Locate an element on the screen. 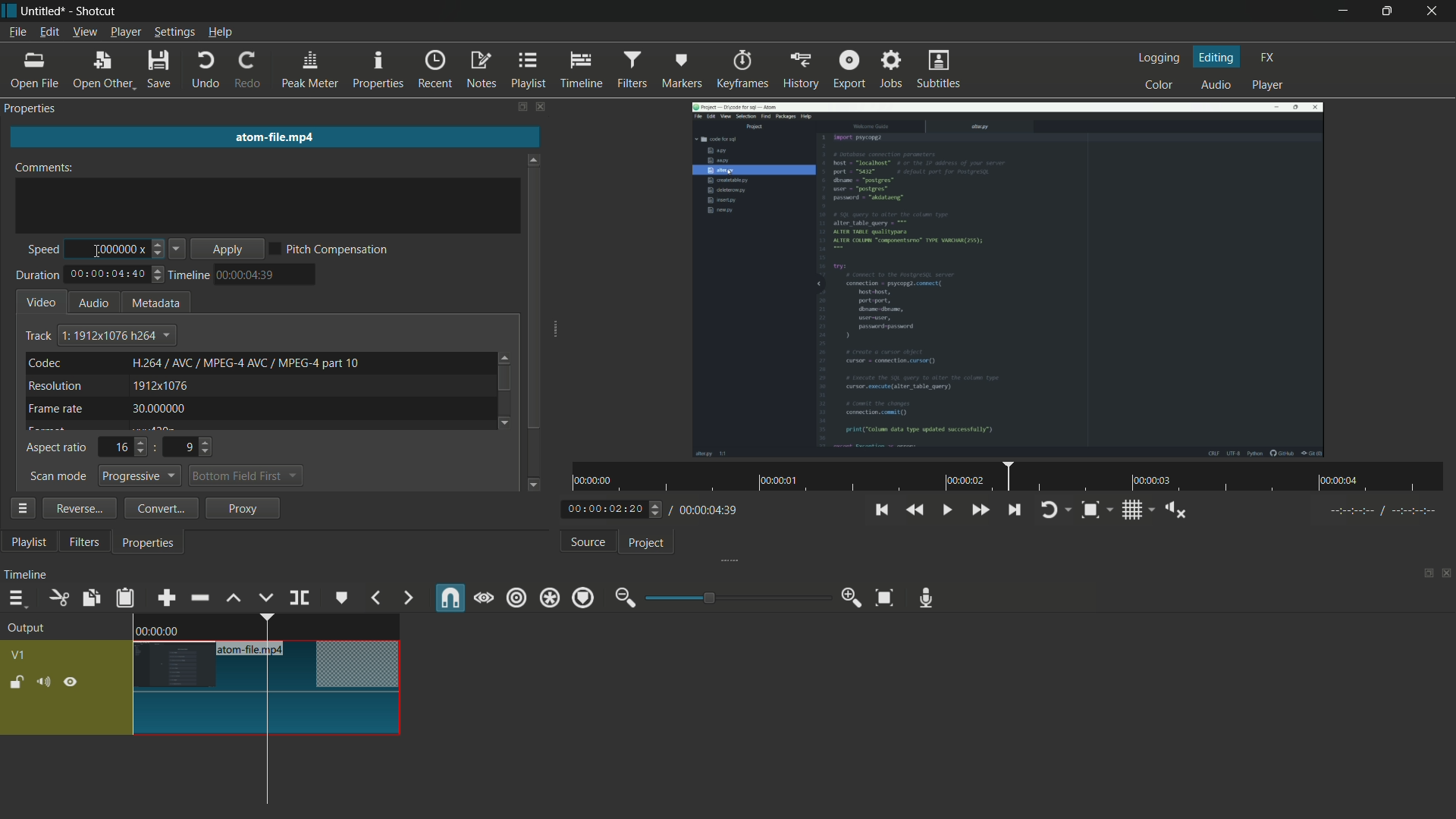 Image resolution: width=1456 pixels, height=819 pixels. next marker is located at coordinates (406, 598).